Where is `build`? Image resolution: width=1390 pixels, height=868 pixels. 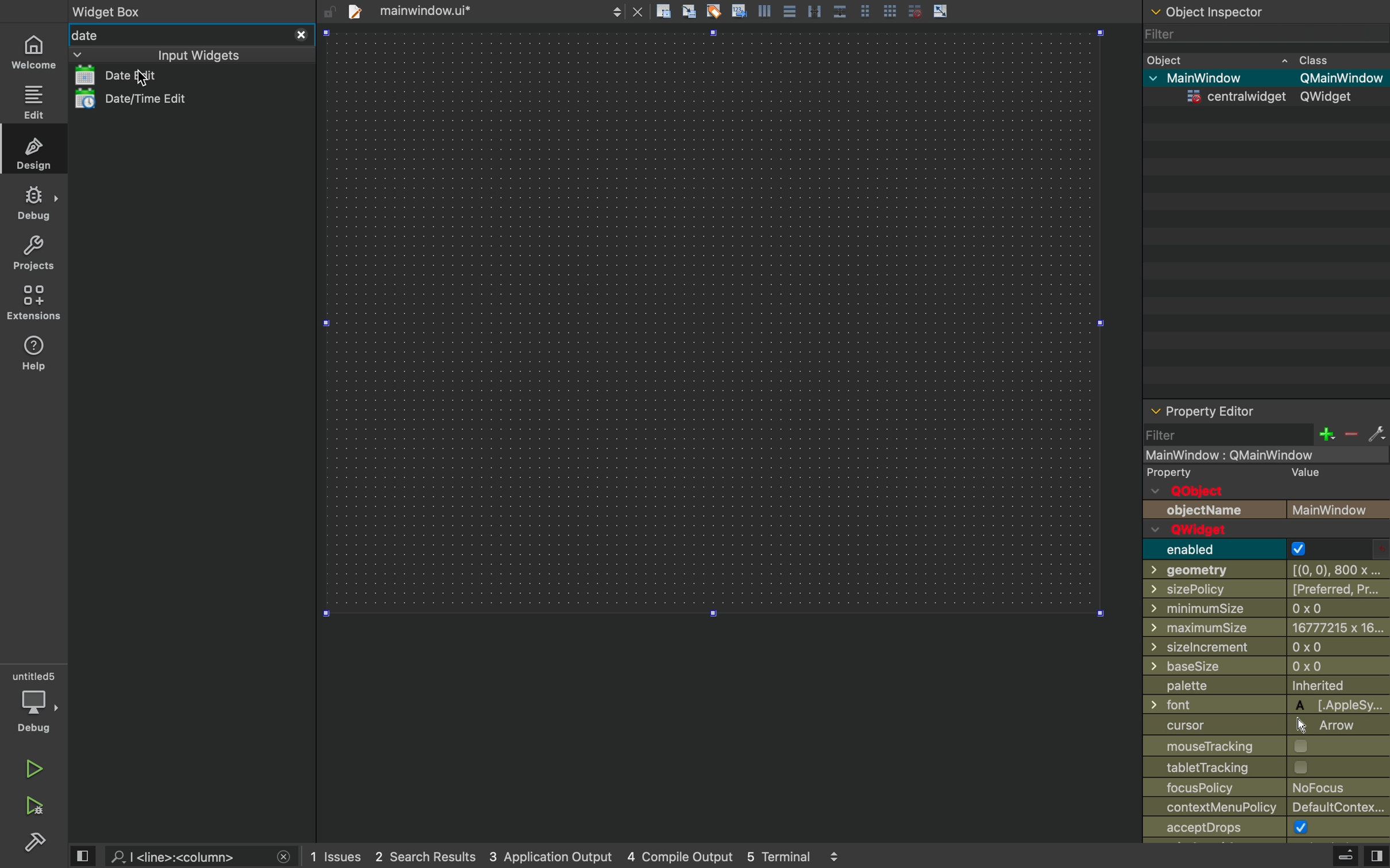 build is located at coordinates (36, 842).